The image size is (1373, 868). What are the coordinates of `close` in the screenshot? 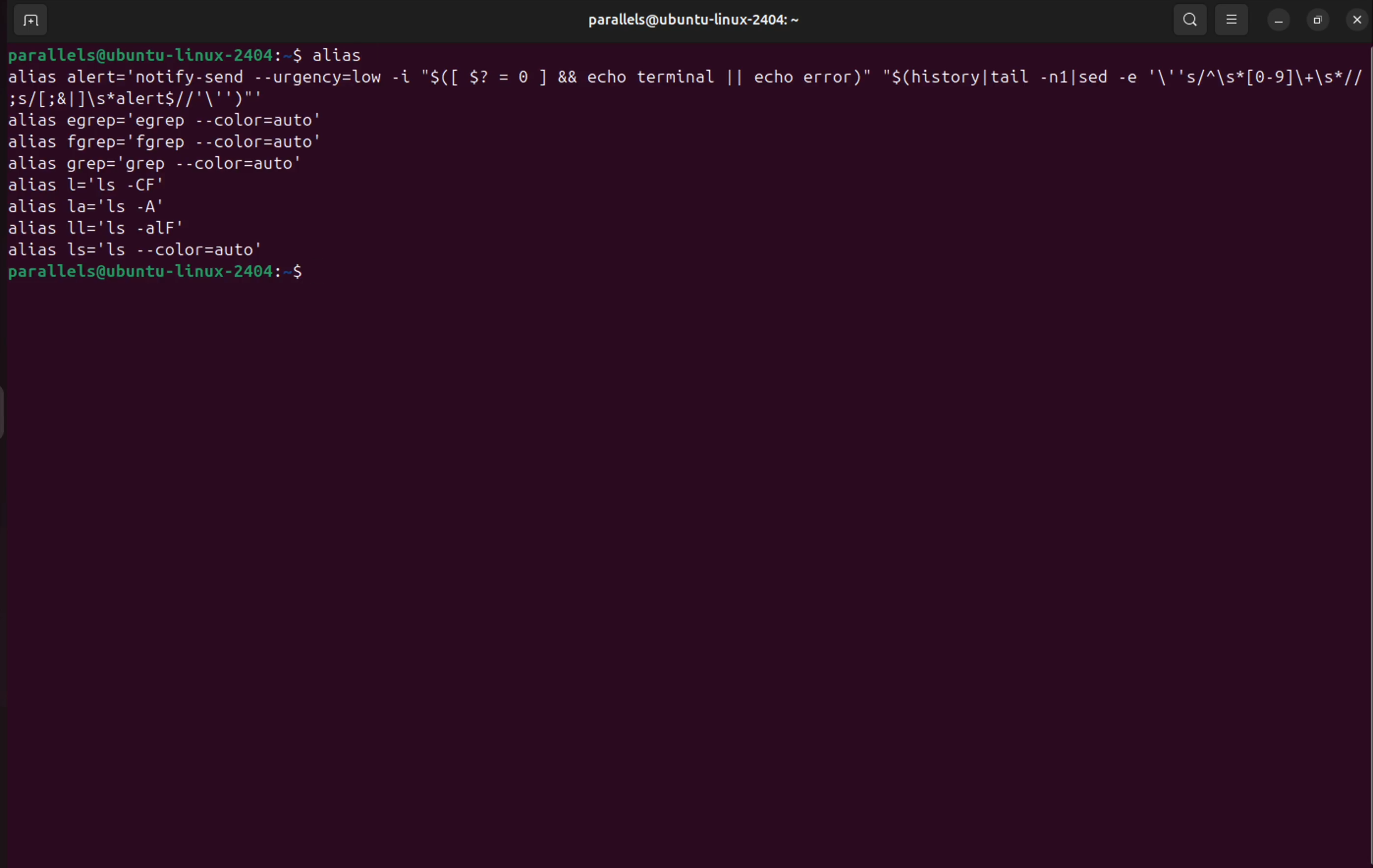 It's located at (1354, 19).